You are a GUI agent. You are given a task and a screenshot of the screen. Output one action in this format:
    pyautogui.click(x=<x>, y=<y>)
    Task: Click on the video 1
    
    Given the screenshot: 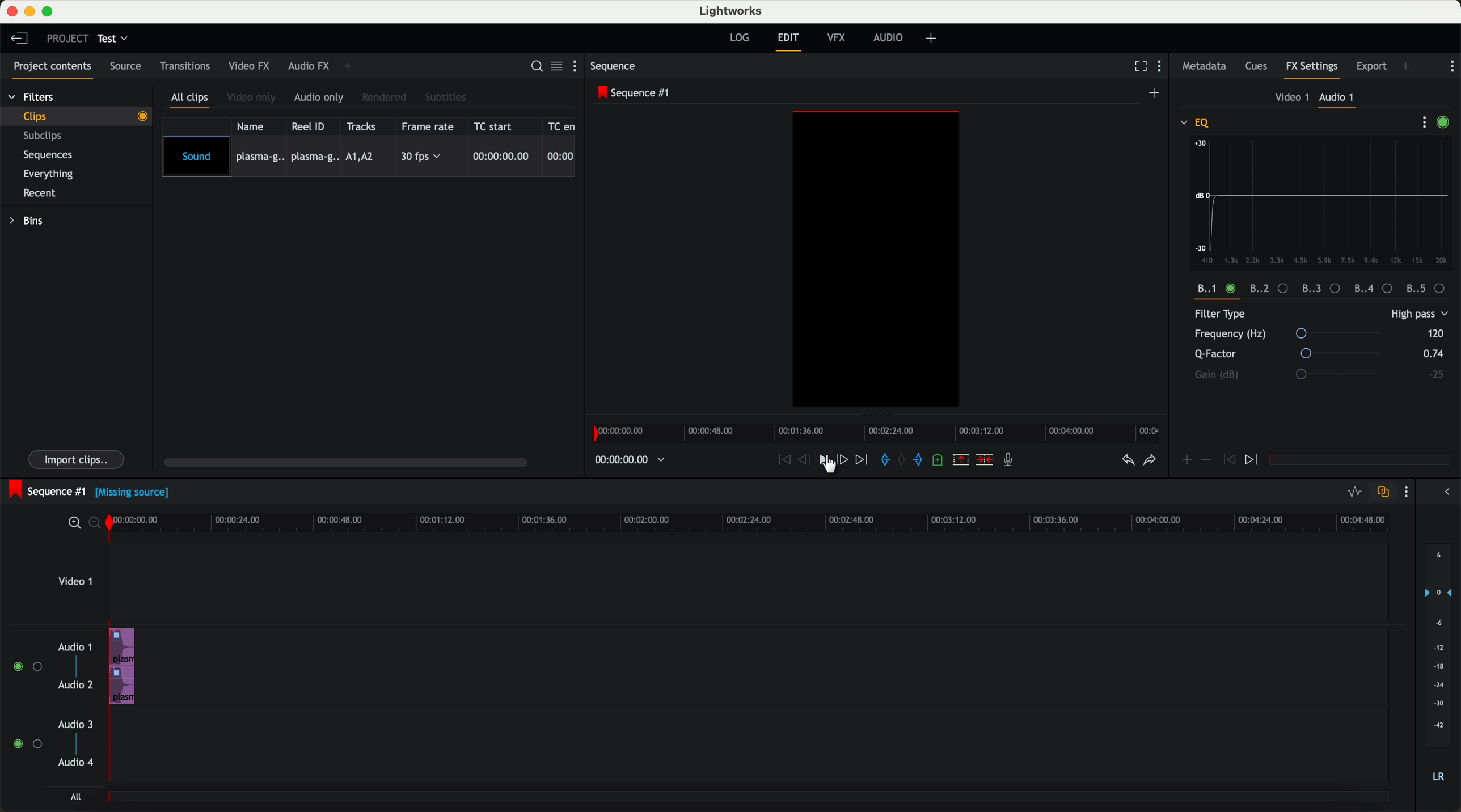 What is the action you would take?
    pyautogui.click(x=75, y=585)
    